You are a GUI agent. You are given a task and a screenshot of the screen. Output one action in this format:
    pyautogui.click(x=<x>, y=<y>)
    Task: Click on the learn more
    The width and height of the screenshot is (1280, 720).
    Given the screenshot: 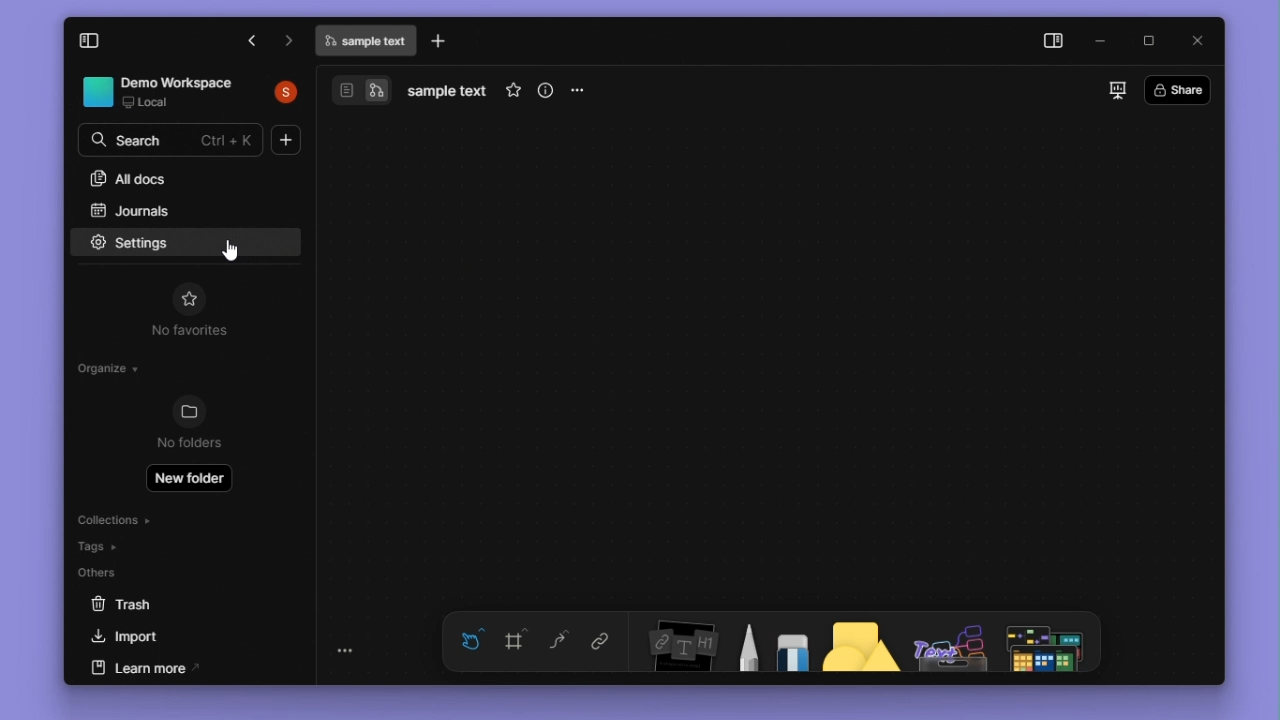 What is the action you would take?
    pyautogui.click(x=183, y=669)
    